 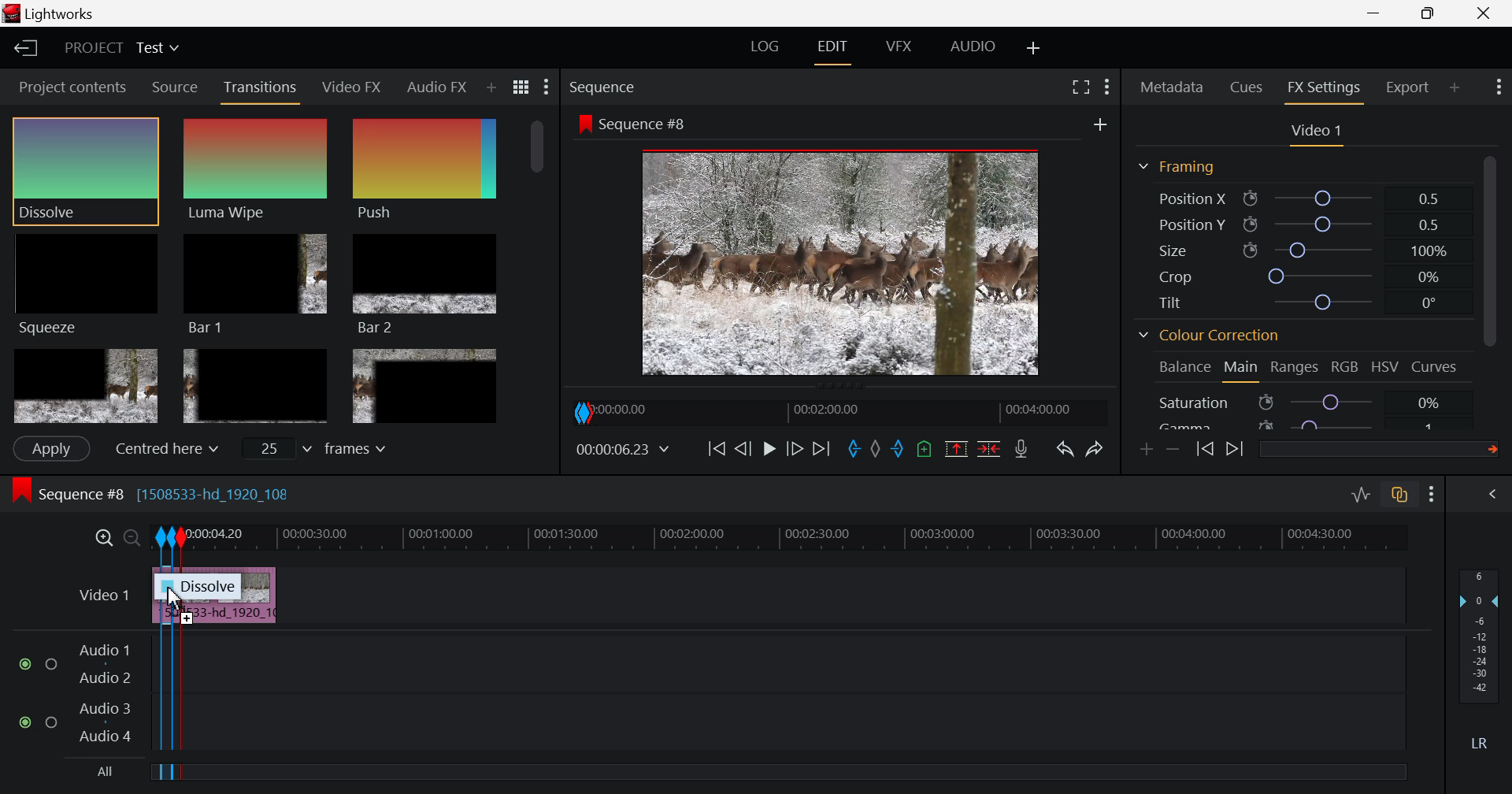 I want to click on Show Settings, so click(x=1435, y=493).